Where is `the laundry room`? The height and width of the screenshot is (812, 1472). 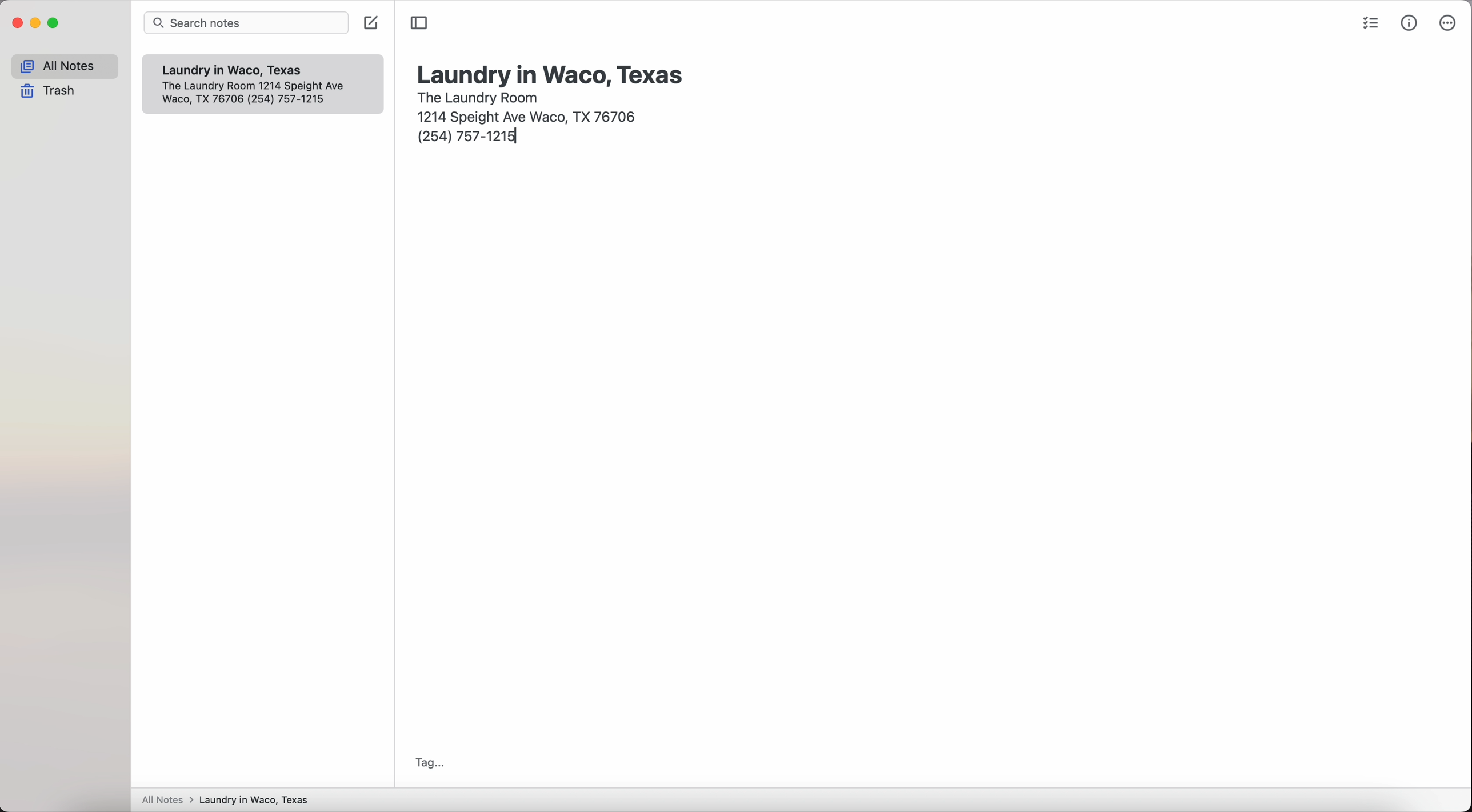
the laundry room is located at coordinates (479, 96).